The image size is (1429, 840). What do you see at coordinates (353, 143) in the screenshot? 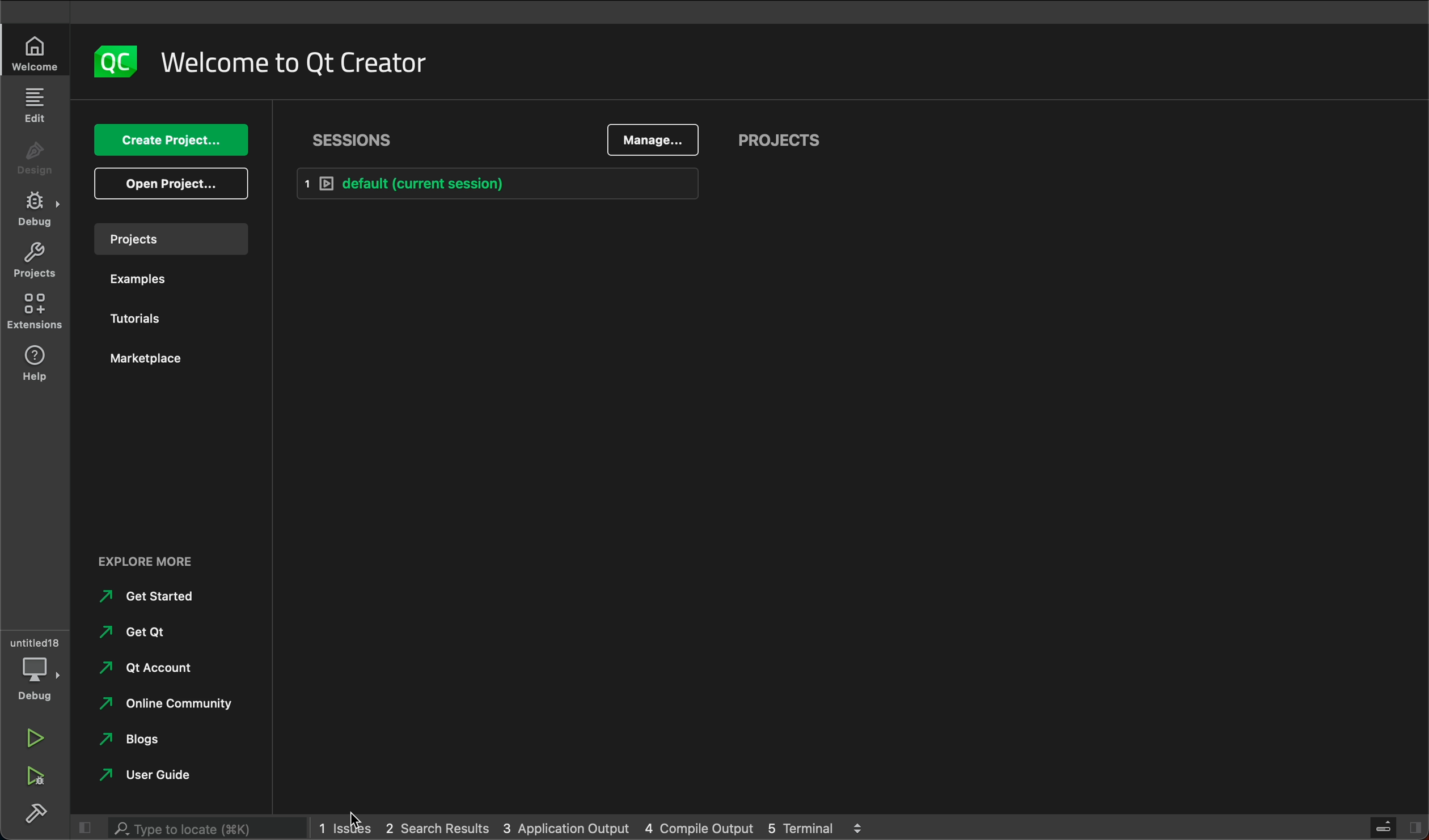
I see `sessions` at bounding box center [353, 143].